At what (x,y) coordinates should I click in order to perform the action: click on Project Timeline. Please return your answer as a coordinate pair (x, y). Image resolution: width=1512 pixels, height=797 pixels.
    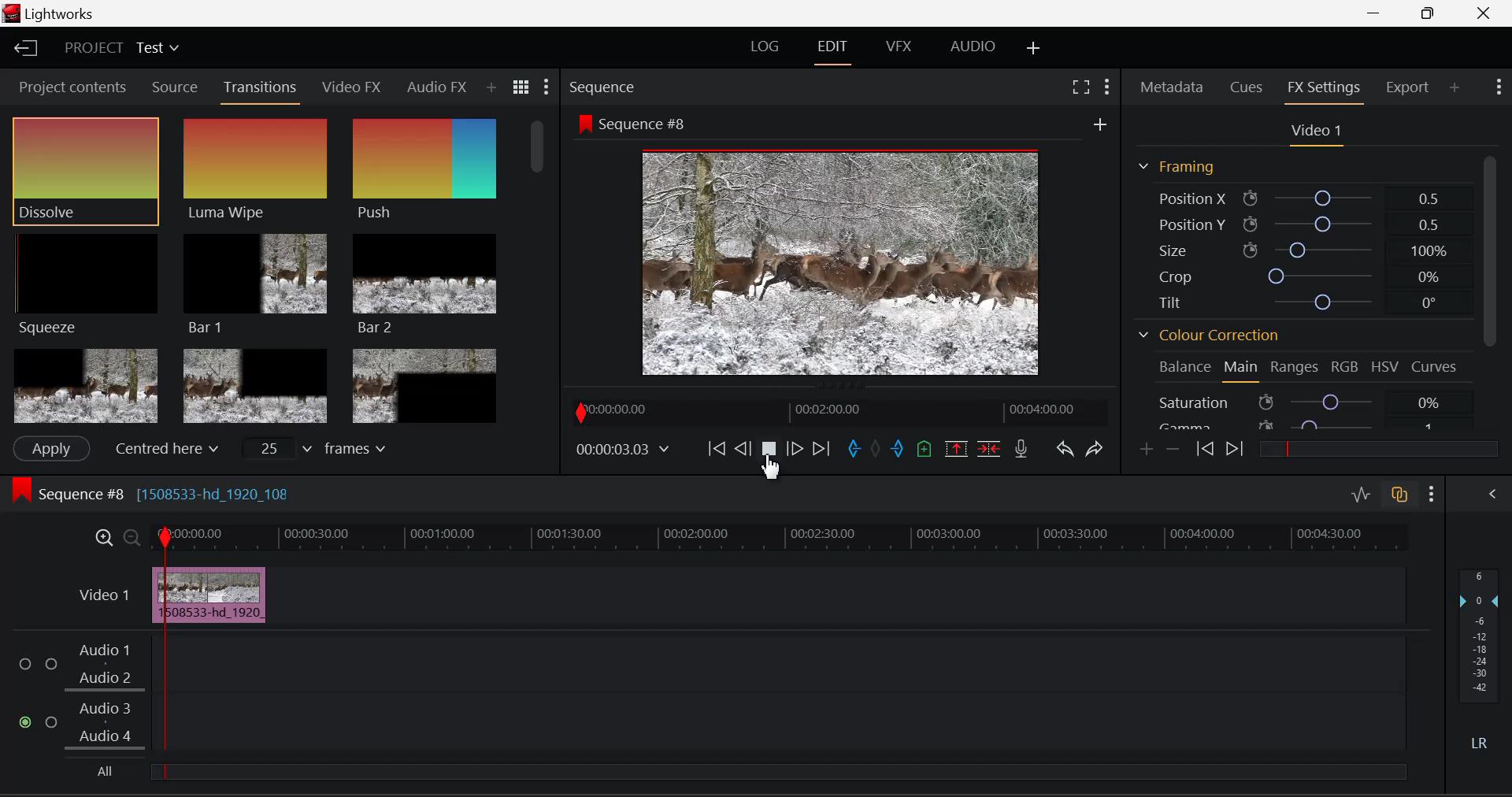
    Looking at the image, I should click on (794, 536).